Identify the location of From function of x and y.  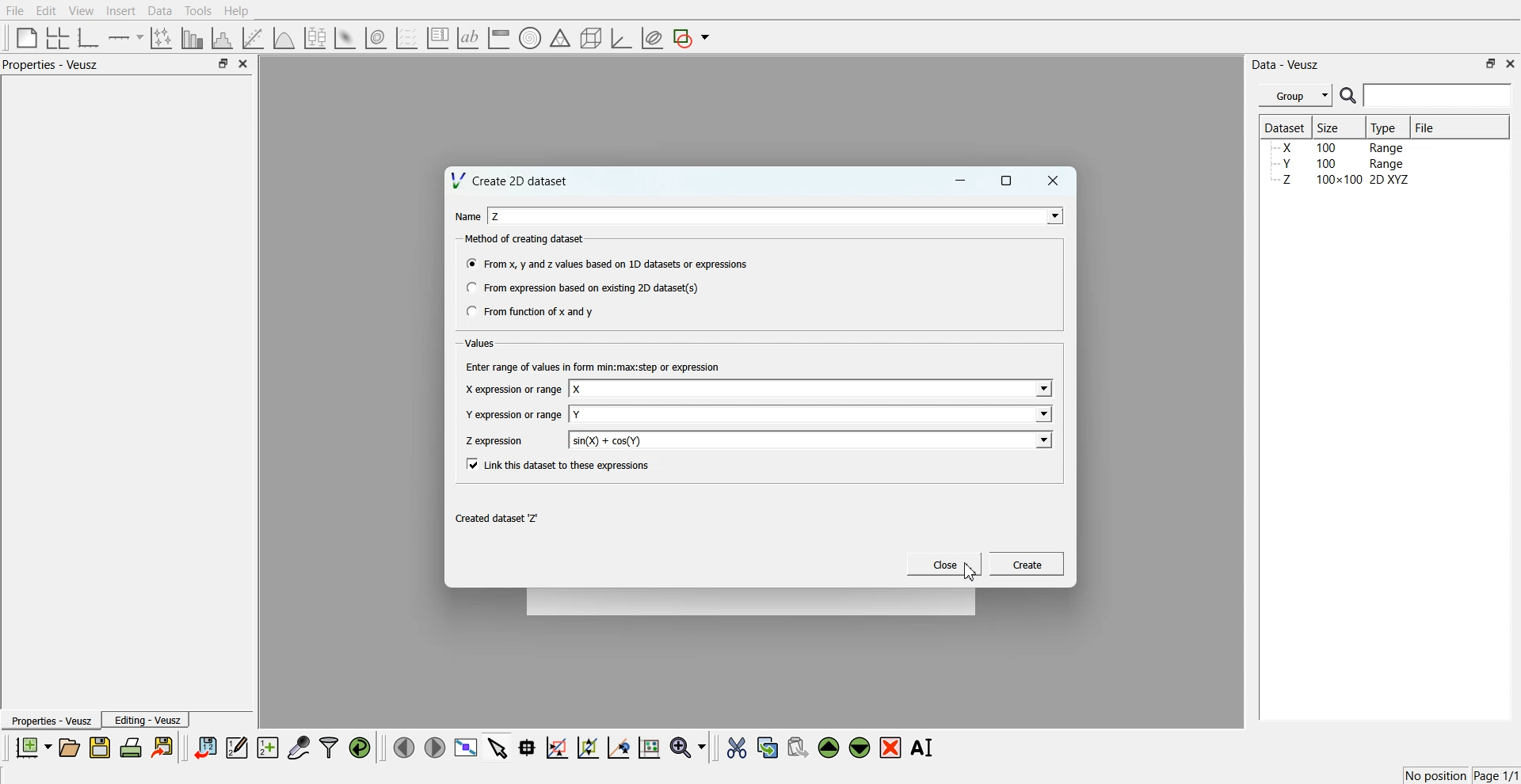
(532, 310).